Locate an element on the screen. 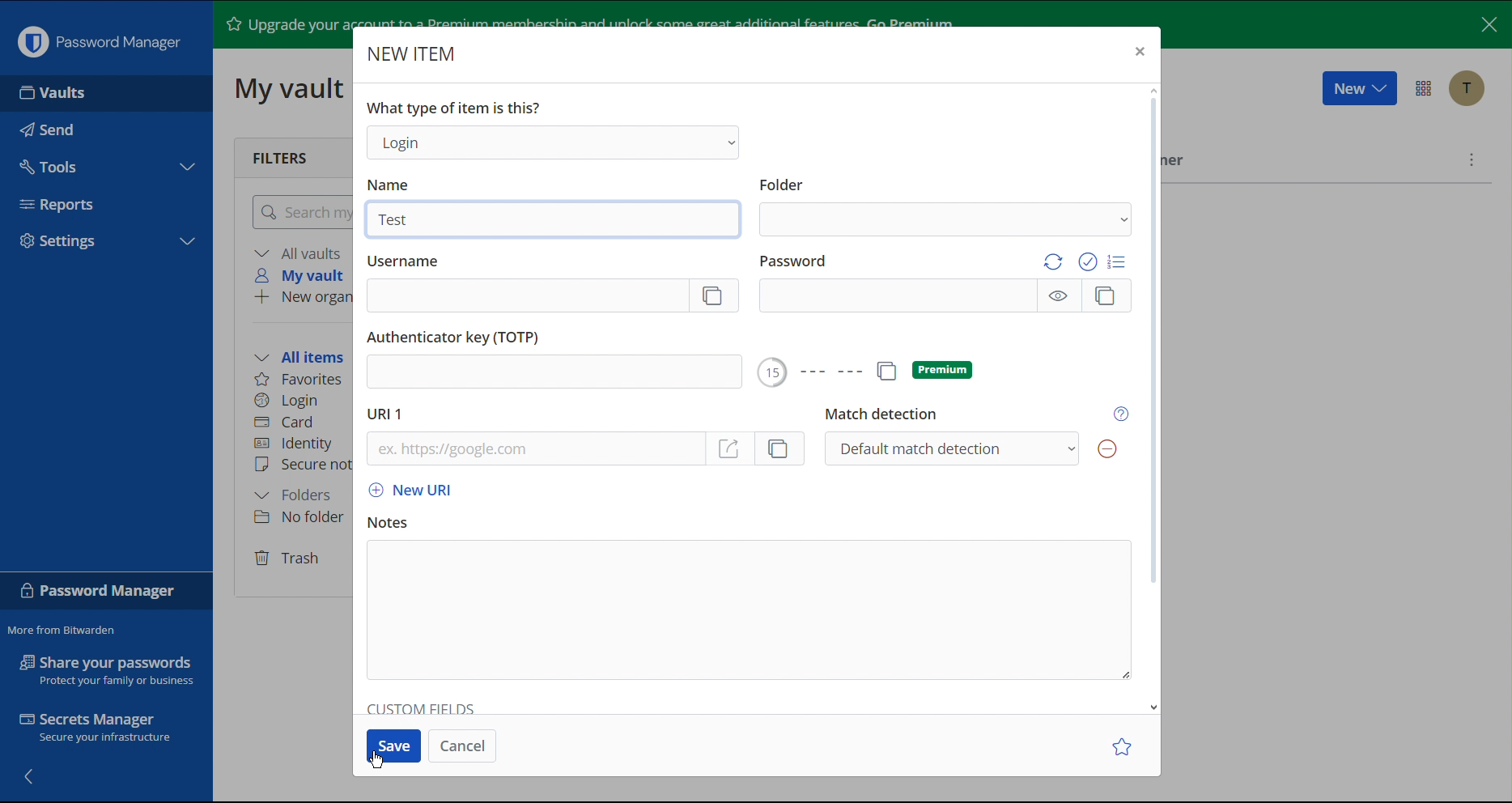  Save is located at coordinates (396, 745).